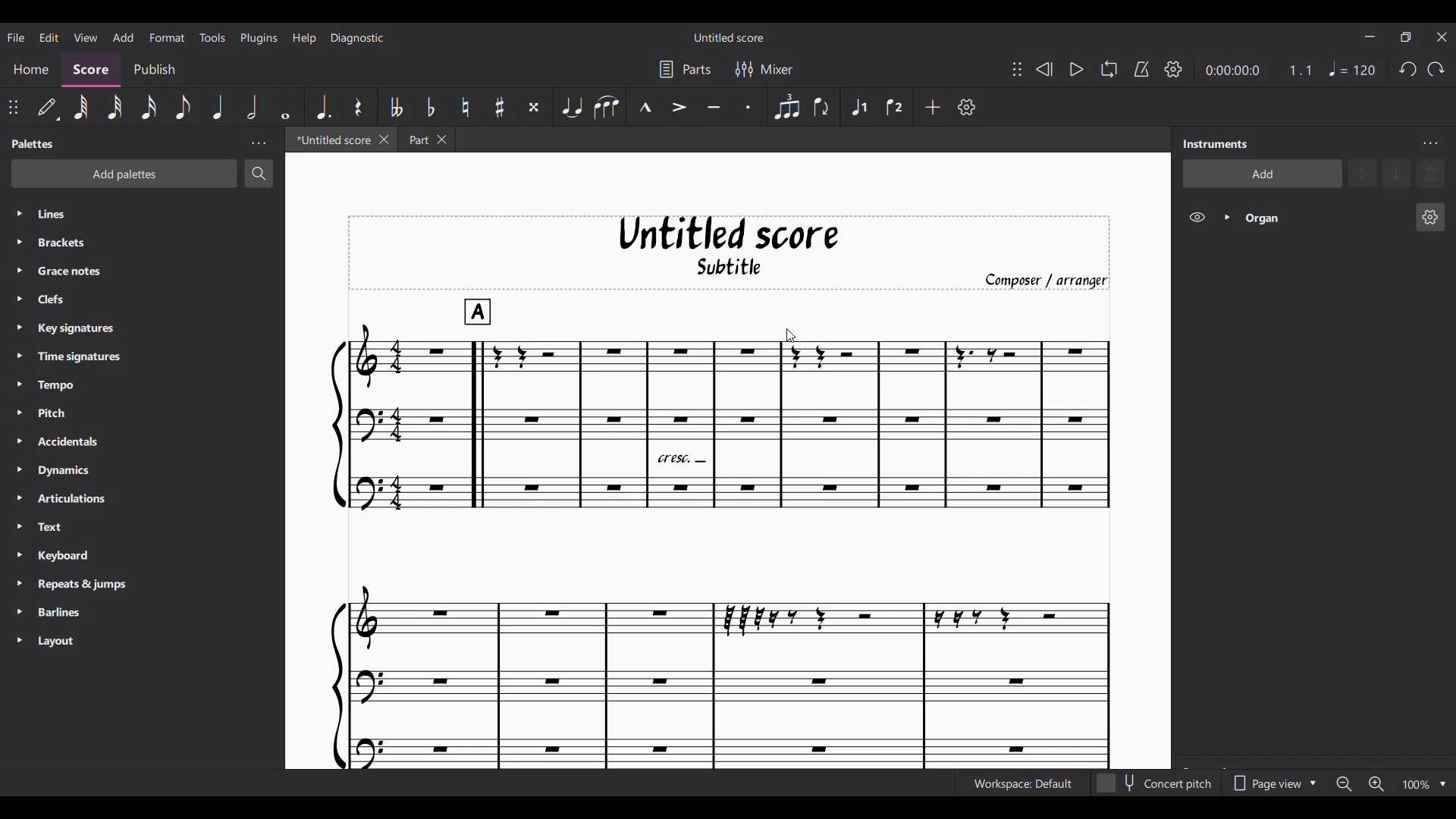 This screenshot has height=819, width=1456. What do you see at coordinates (259, 36) in the screenshot?
I see `Plugins menu` at bounding box center [259, 36].